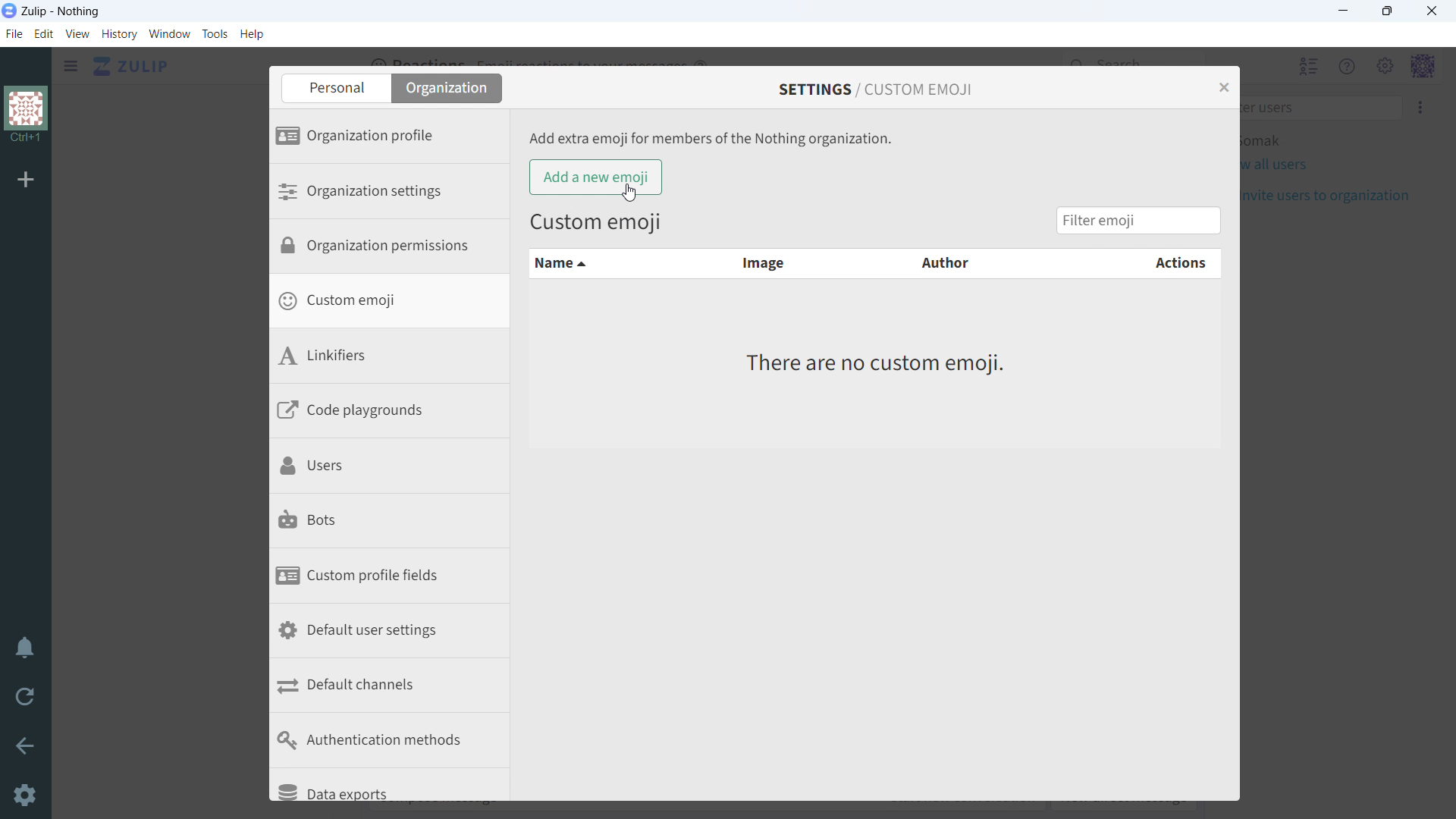  Describe the element at coordinates (24, 649) in the screenshot. I see `enable do not disturb` at that location.